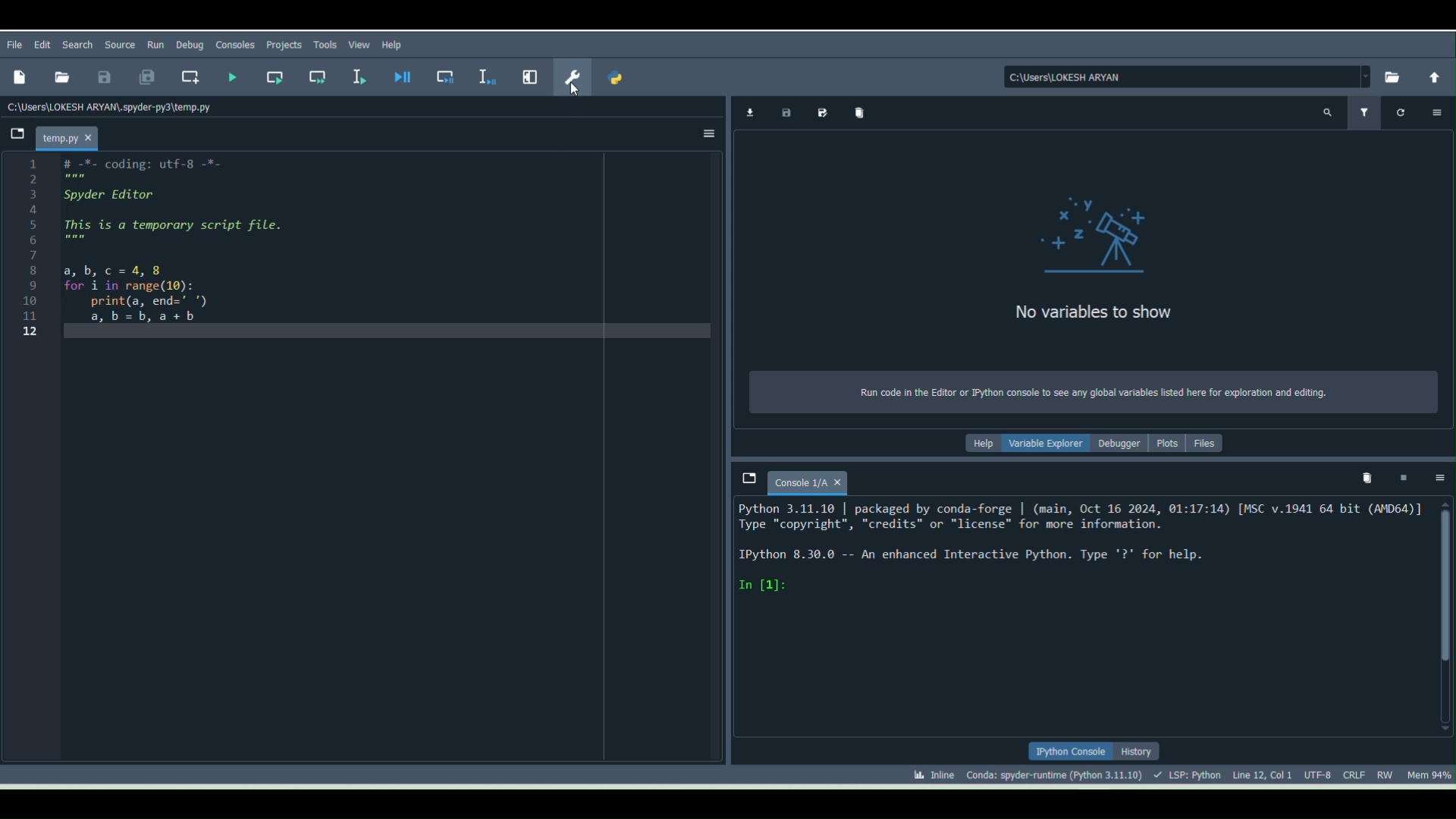  What do you see at coordinates (1096, 388) in the screenshot?
I see `Text` at bounding box center [1096, 388].